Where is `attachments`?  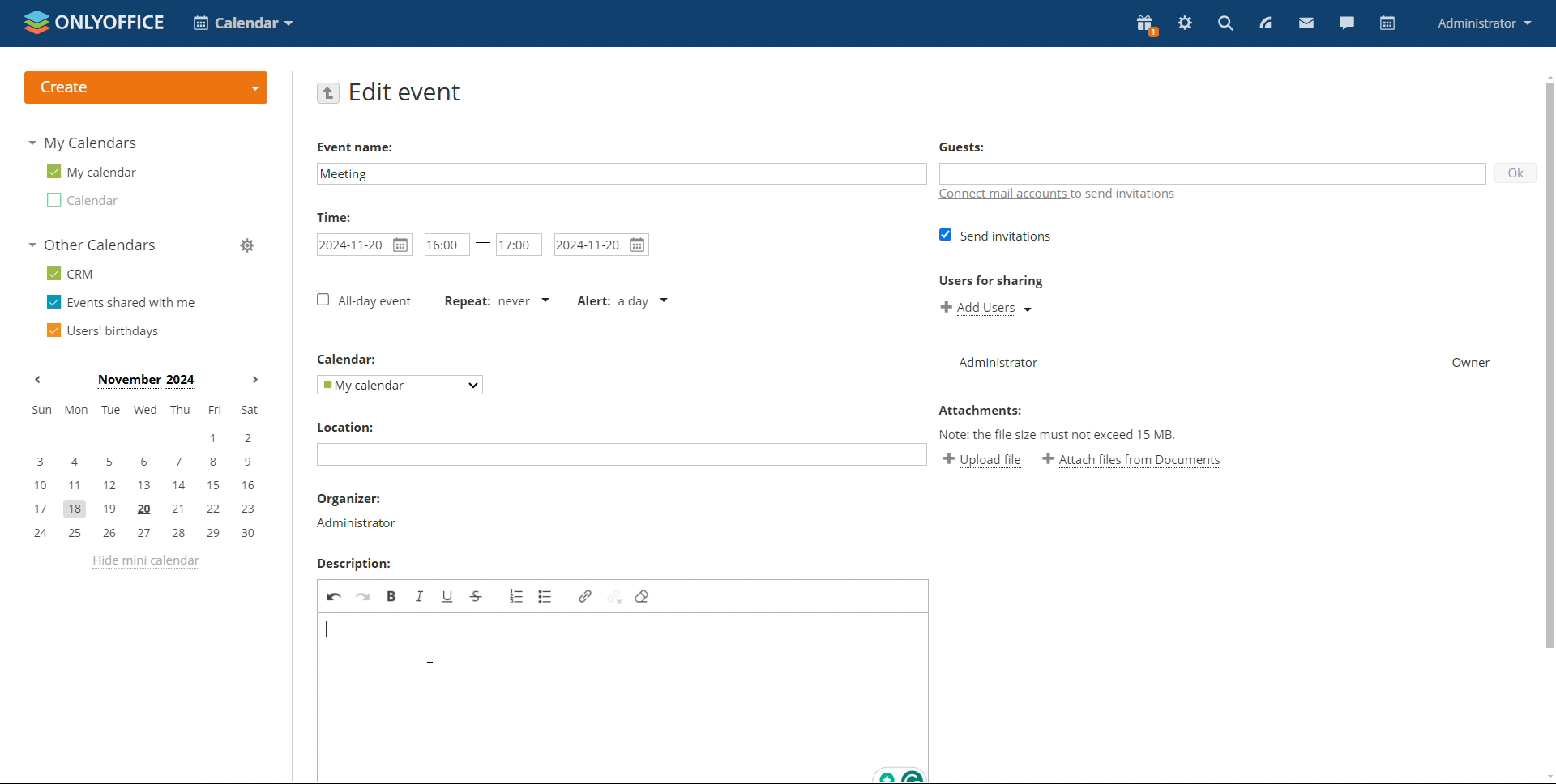 attachments is located at coordinates (981, 411).